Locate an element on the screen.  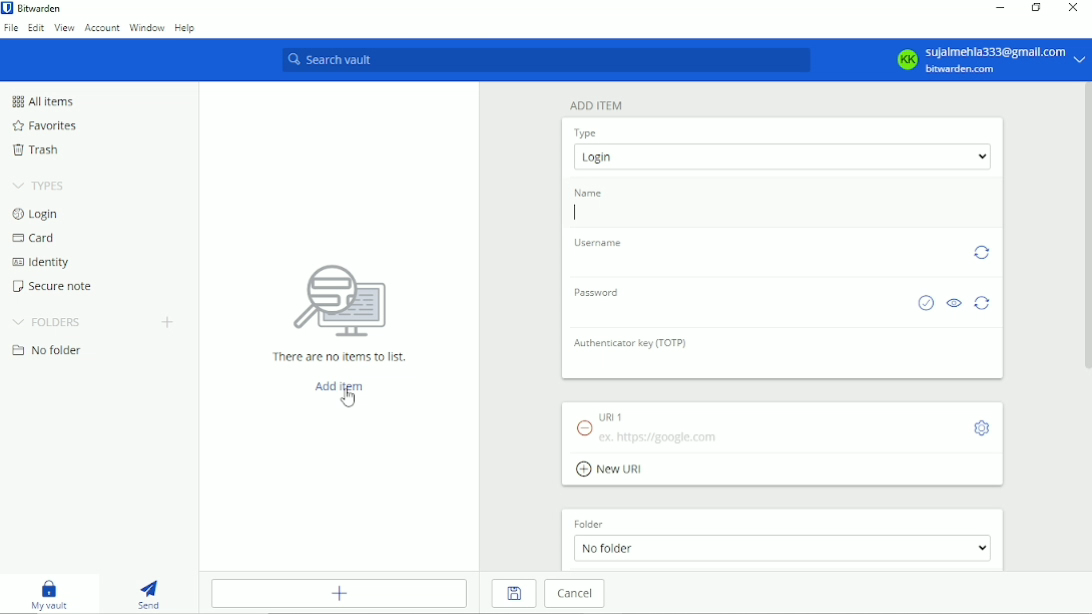
Folders is located at coordinates (47, 323).